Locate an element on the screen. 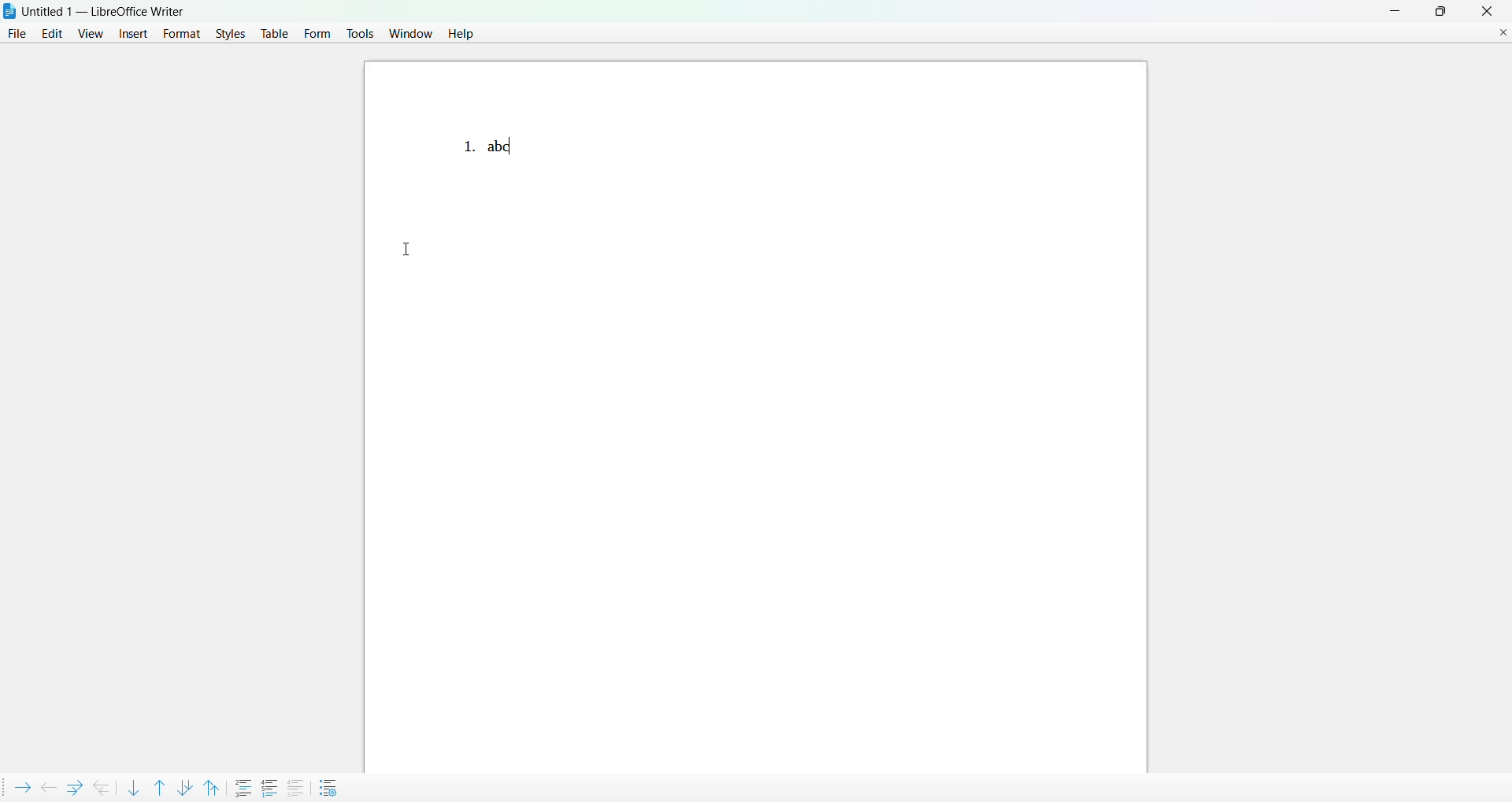 Image resolution: width=1512 pixels, height=802 pixels. canvas is located at coordinates (845, 425).